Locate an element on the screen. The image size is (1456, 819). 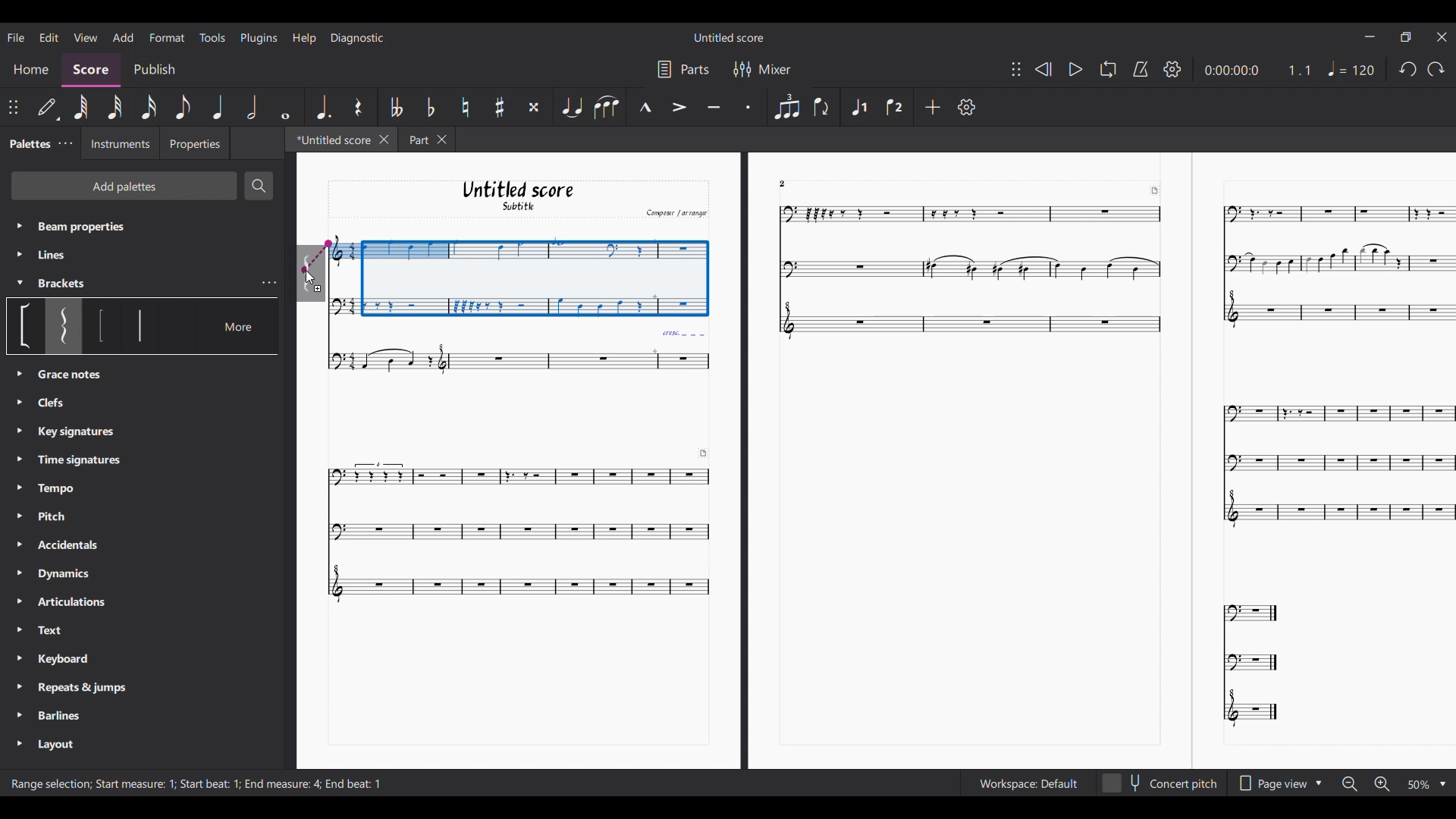
Rest is located at coordinates (358, 106).